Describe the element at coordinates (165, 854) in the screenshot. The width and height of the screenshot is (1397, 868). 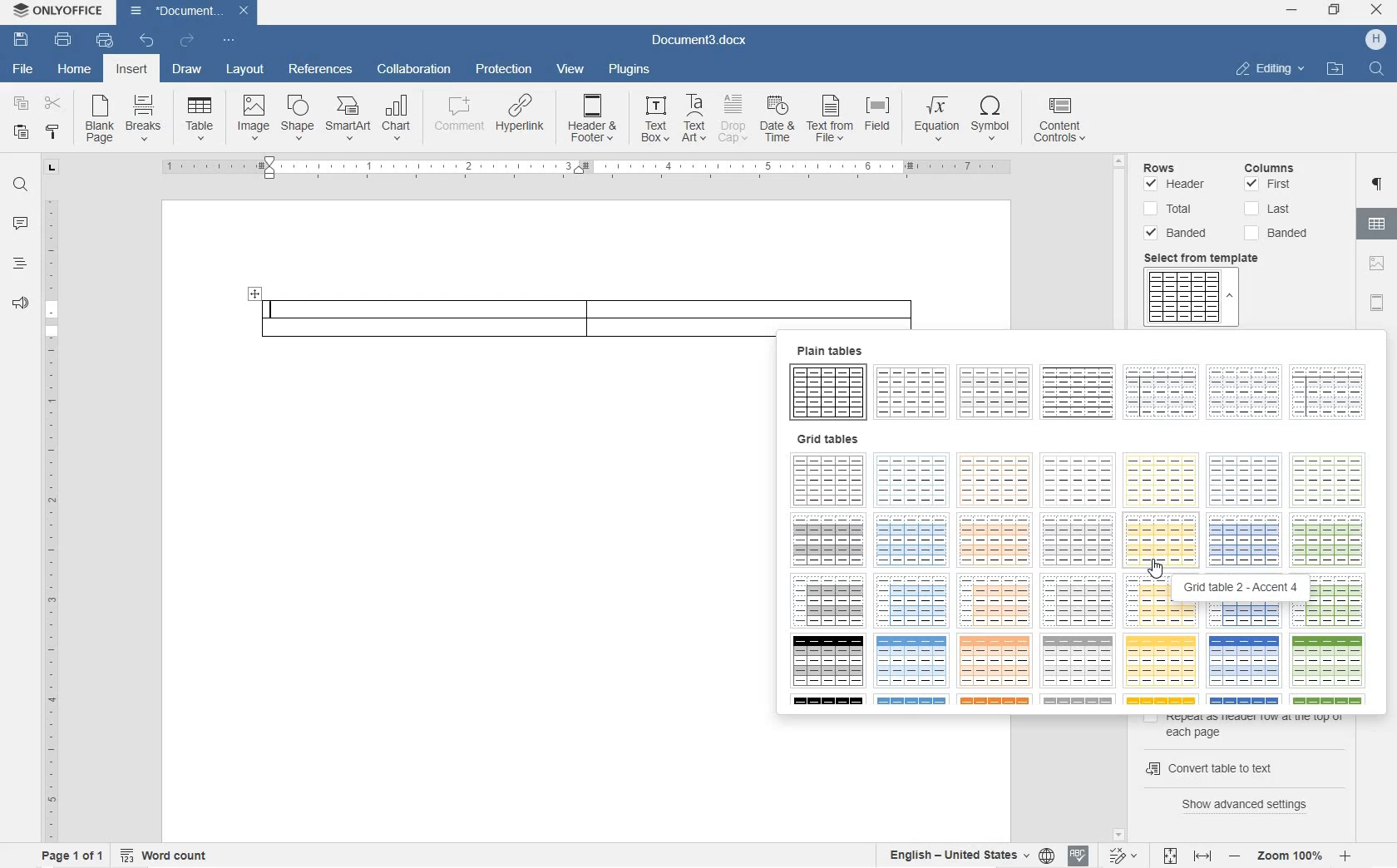
I see `WORD COUNT` at that location.